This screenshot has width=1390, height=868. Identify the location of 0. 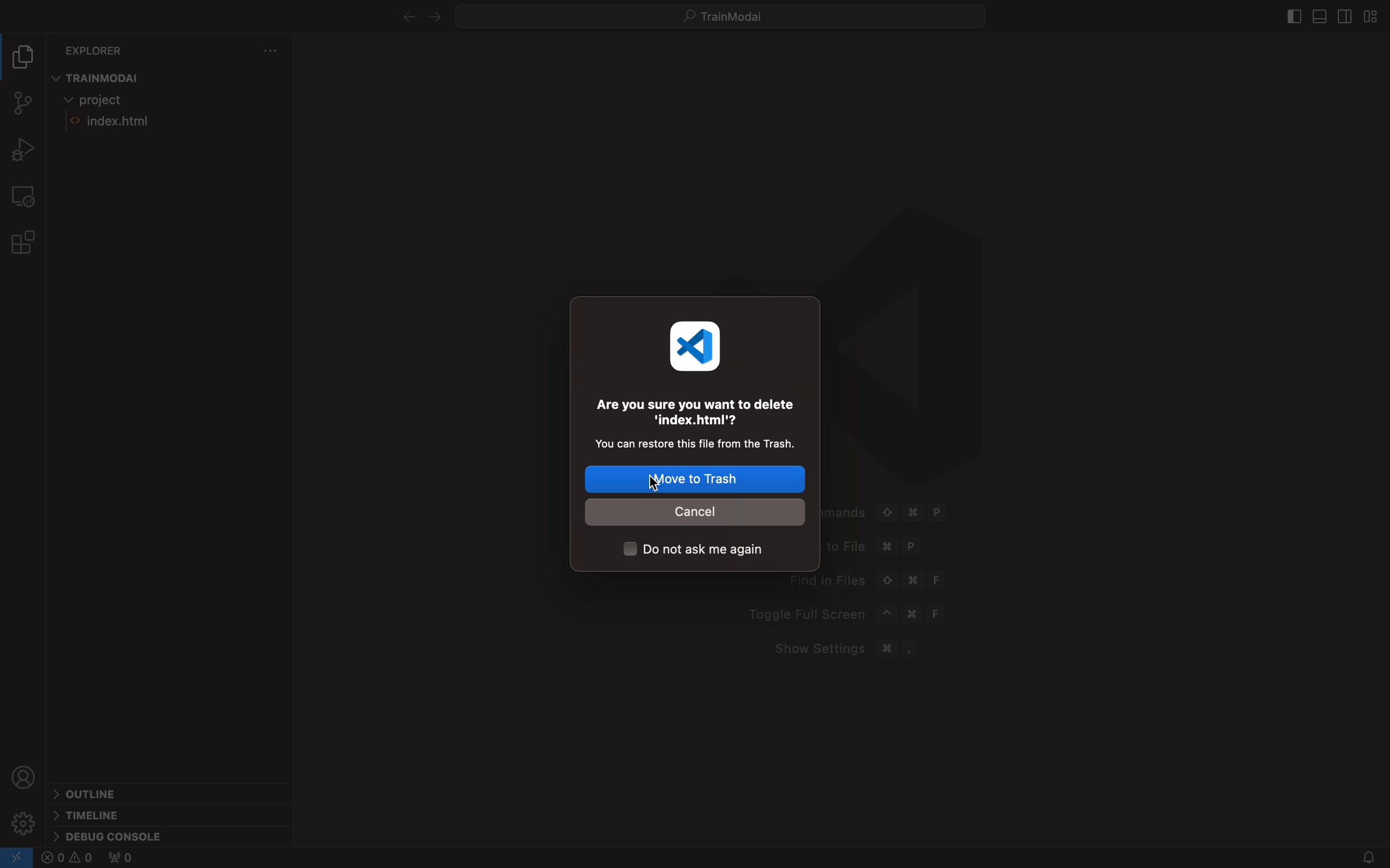
(68, 859).